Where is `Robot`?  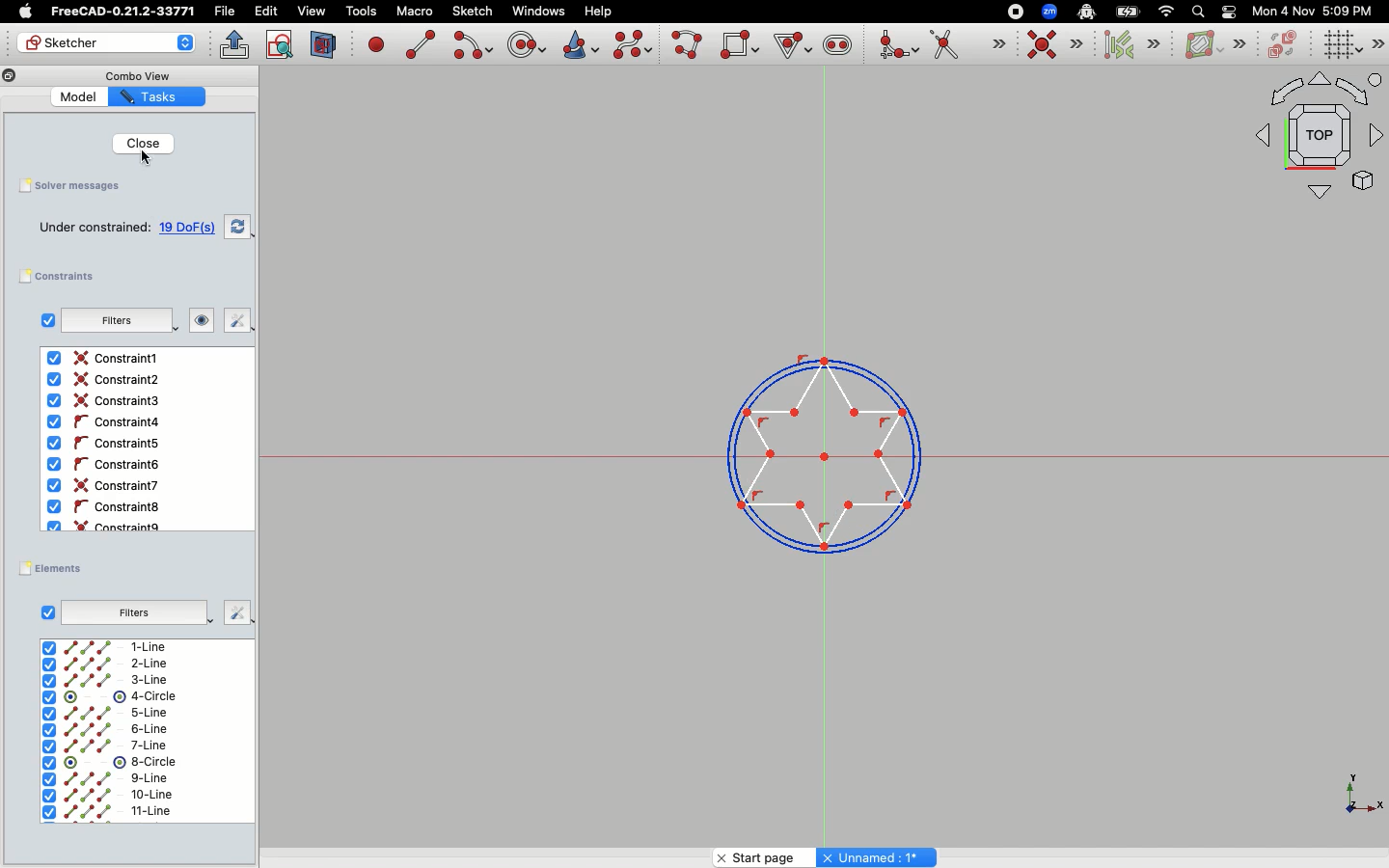 Robot is located at coordinates (1086, 14).